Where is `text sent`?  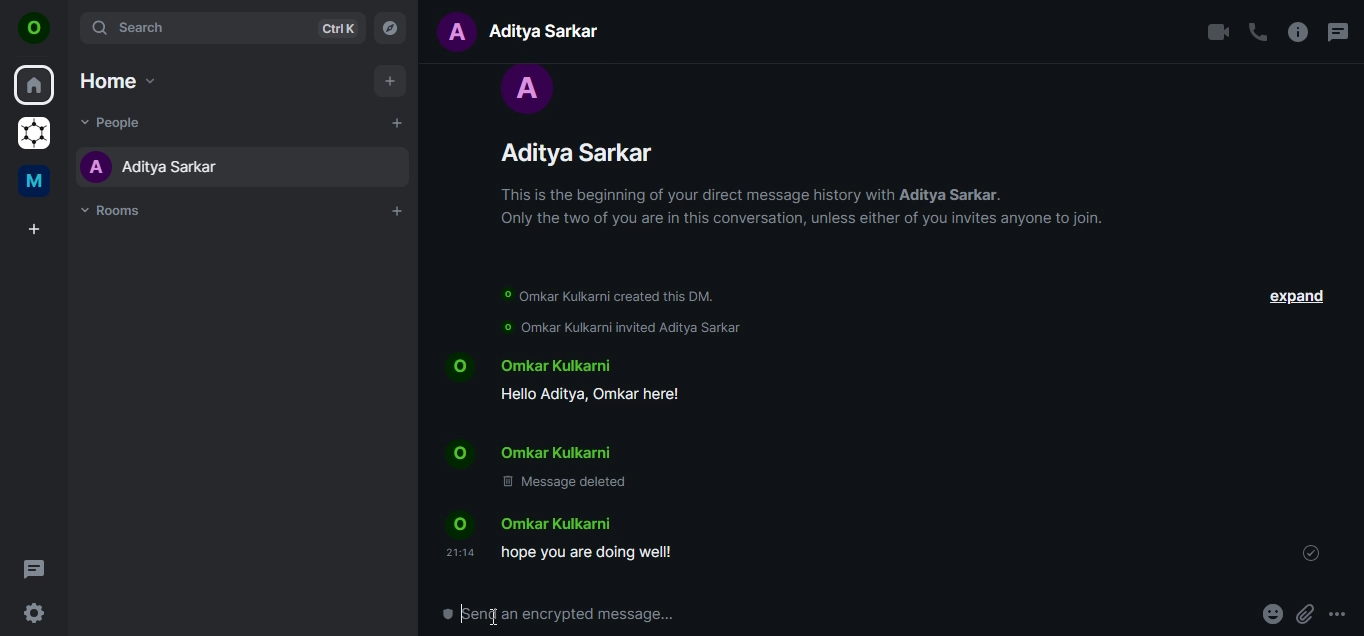
text sent is located at coordinates (571, 537).